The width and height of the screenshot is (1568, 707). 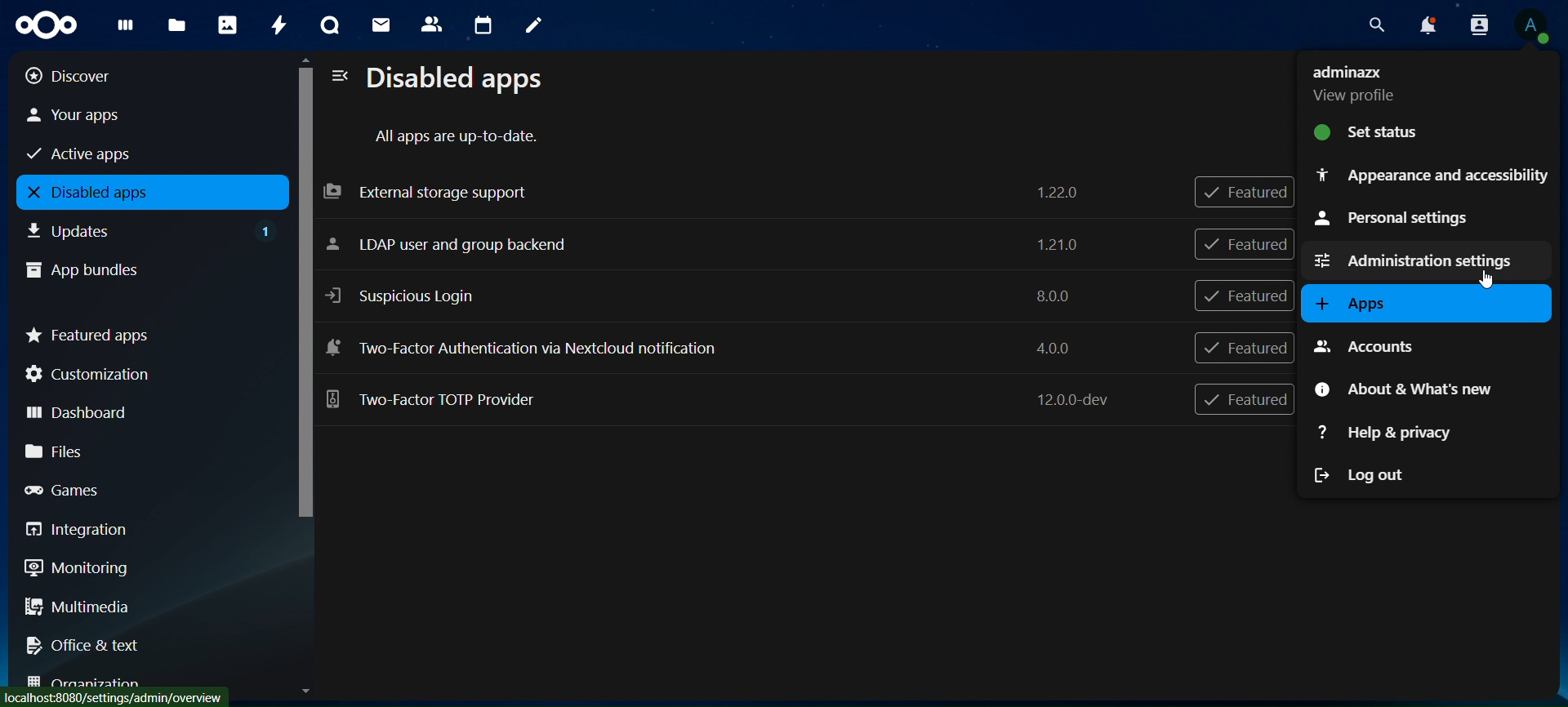 I want to click on updates, so click(x=152, y=229).